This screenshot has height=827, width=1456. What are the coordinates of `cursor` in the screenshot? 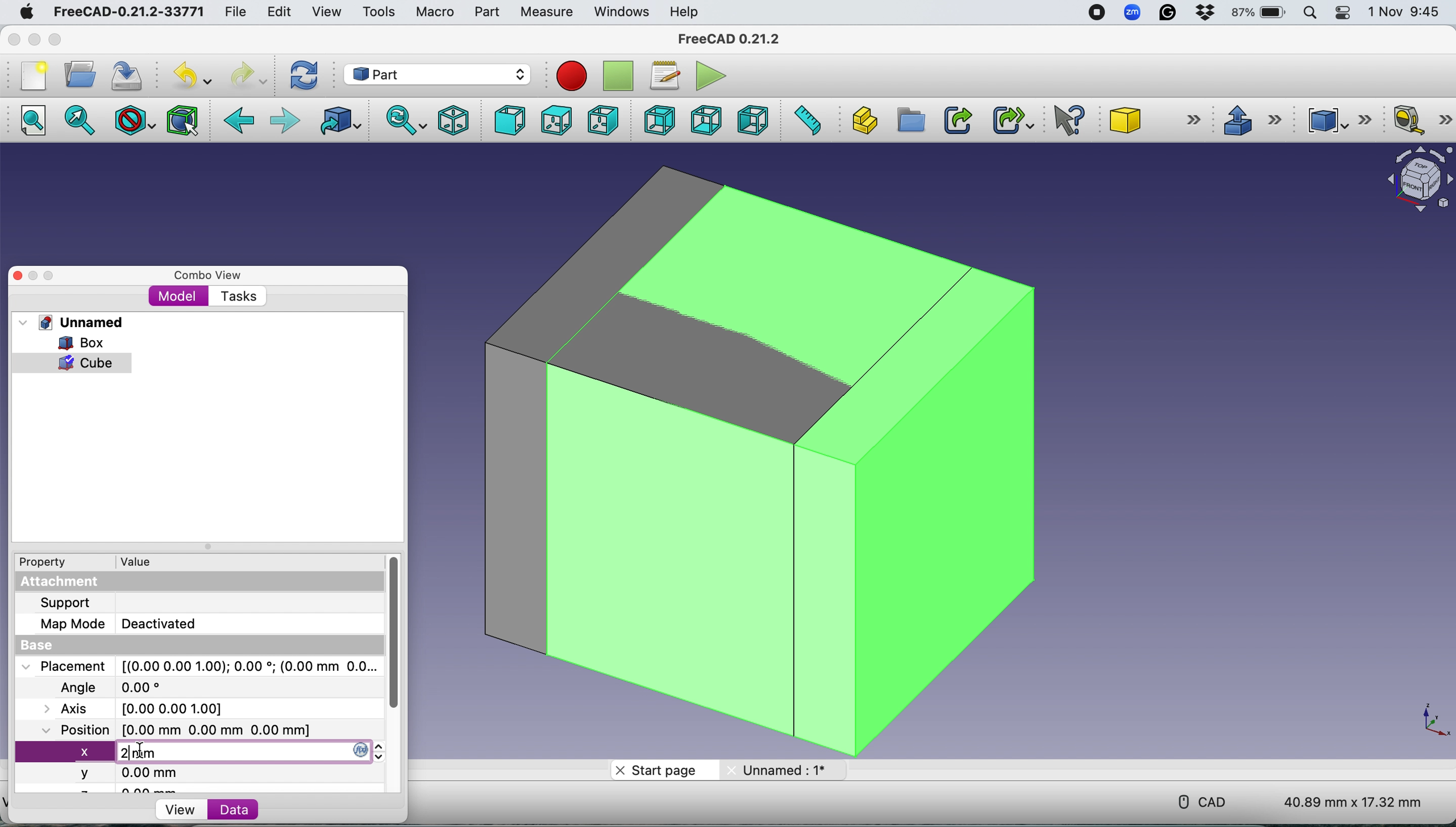 It's located at (142, 751).